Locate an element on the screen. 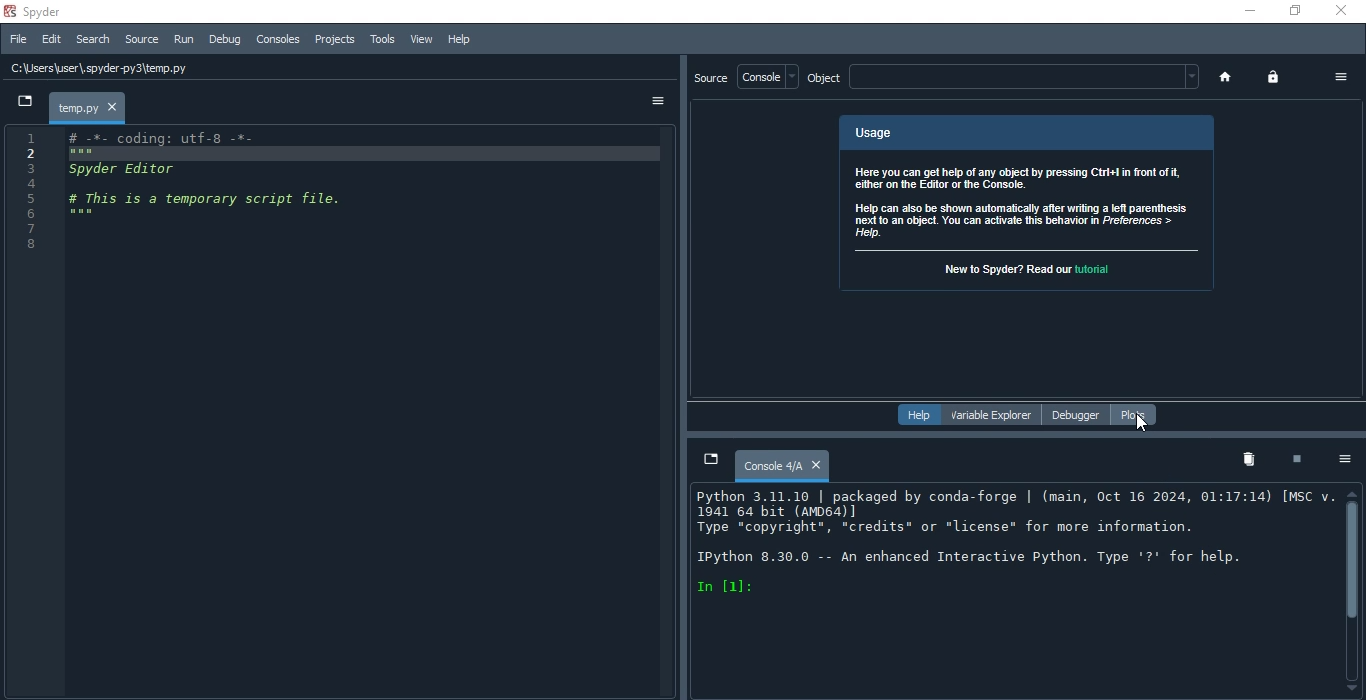 The image size is (1366, 700). plots is located at coordinates (1133, 414).